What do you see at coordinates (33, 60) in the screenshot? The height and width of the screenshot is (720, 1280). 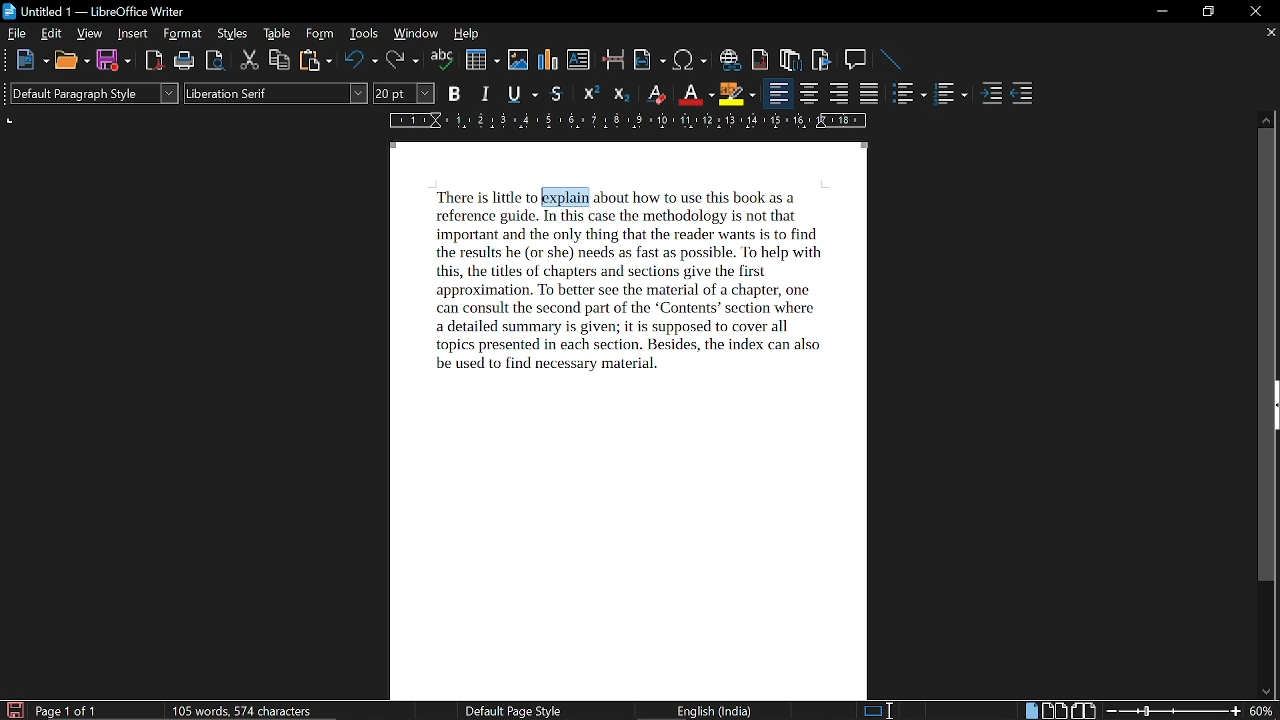 I see `new` at bounding box center [33, 60].